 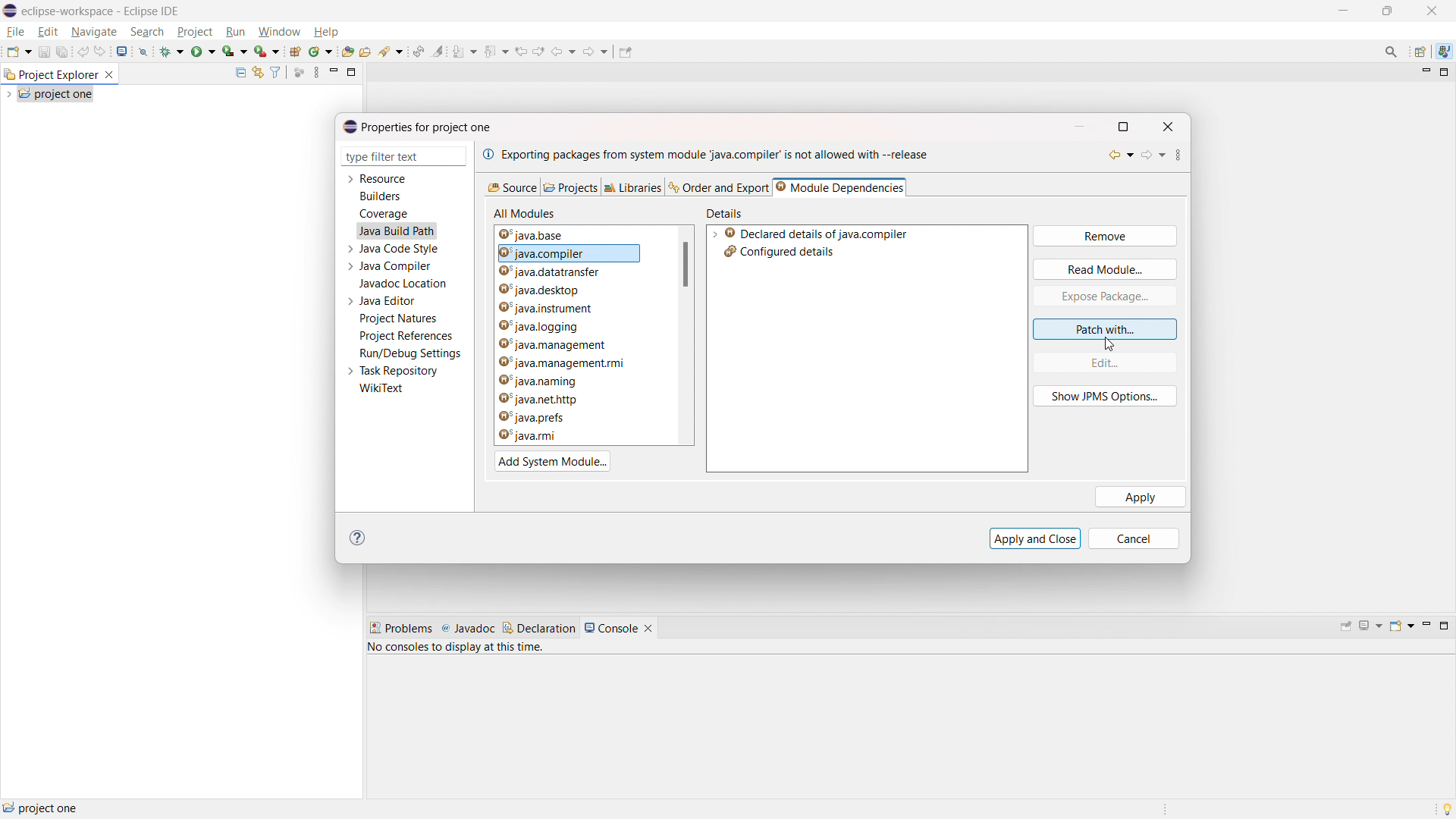 I want to click on pin editor, so click(x=626, y=52).